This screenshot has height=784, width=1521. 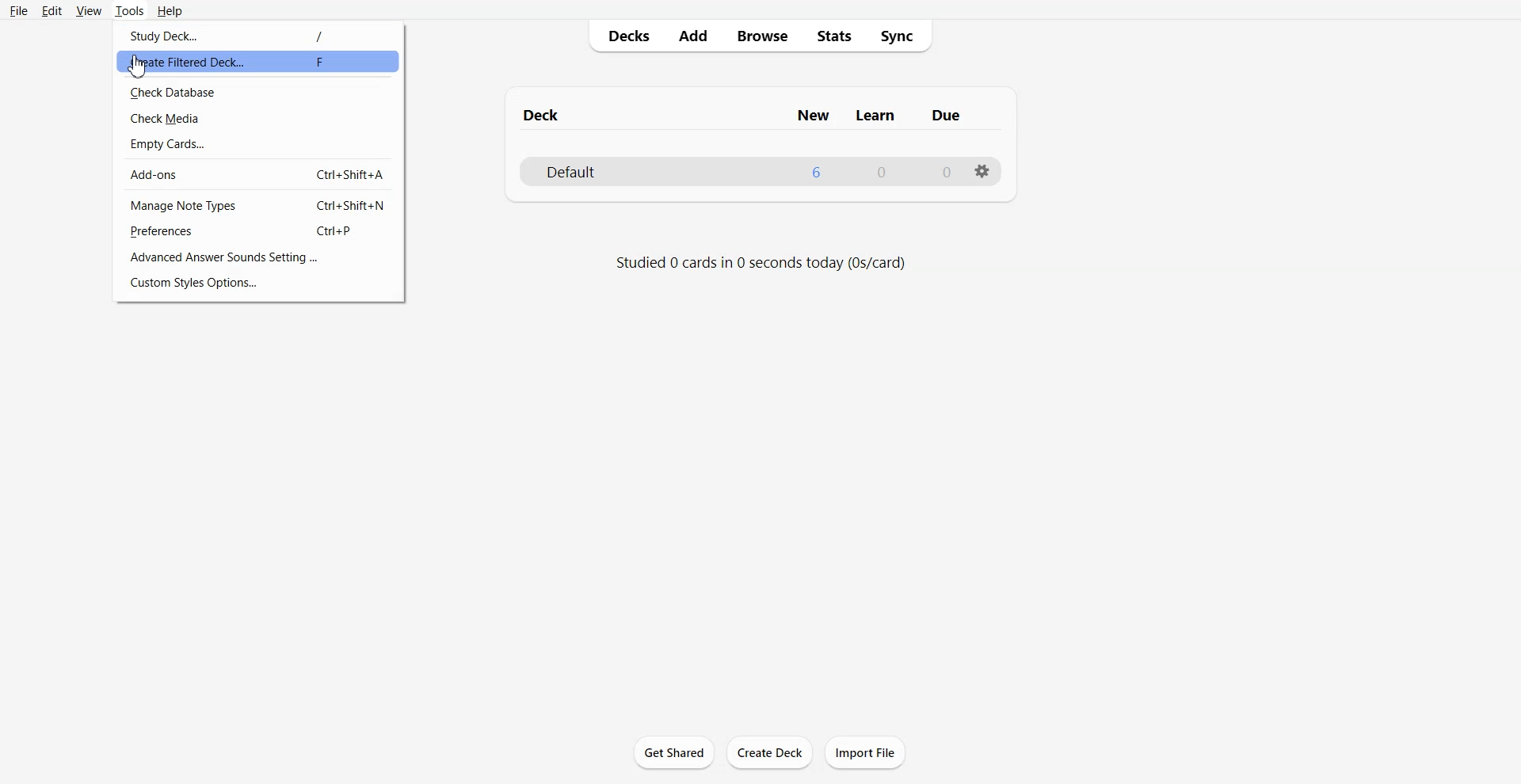 I want to click on Manage Note Types, so click(x=259, y=204).